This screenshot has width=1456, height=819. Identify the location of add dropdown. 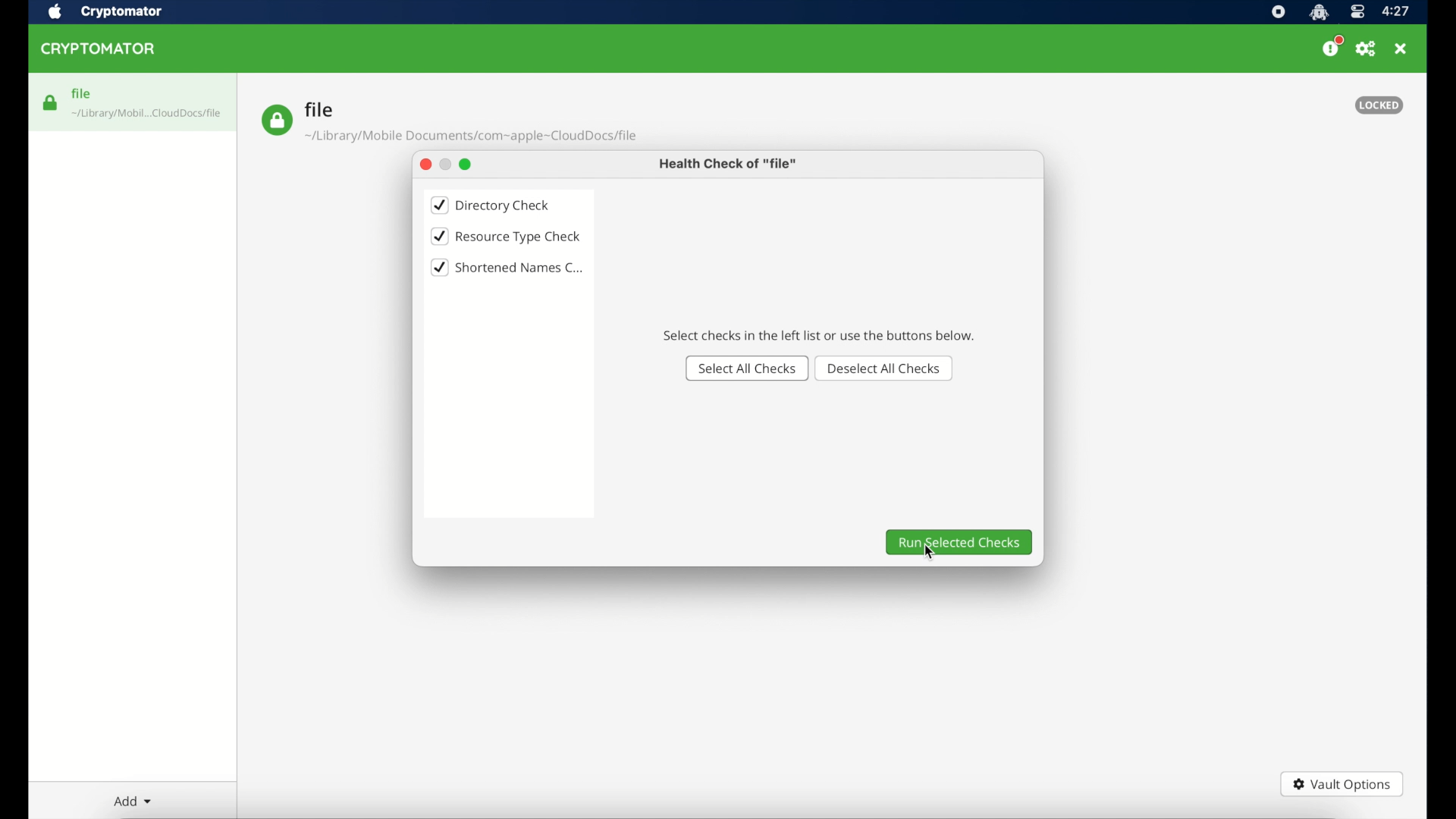
(130, 801).